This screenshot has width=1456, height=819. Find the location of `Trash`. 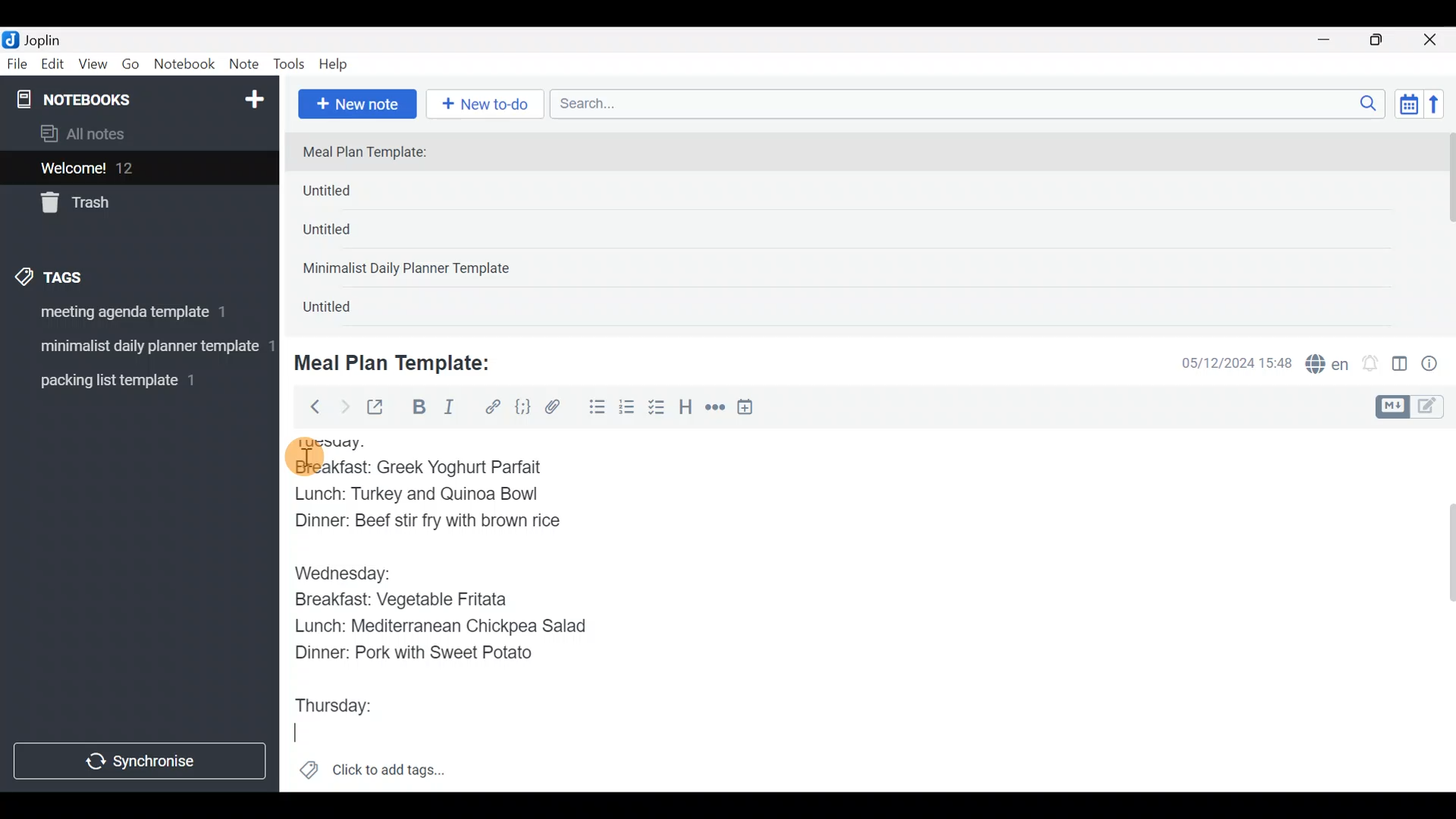

Trash is located at coordinates (130, 204).